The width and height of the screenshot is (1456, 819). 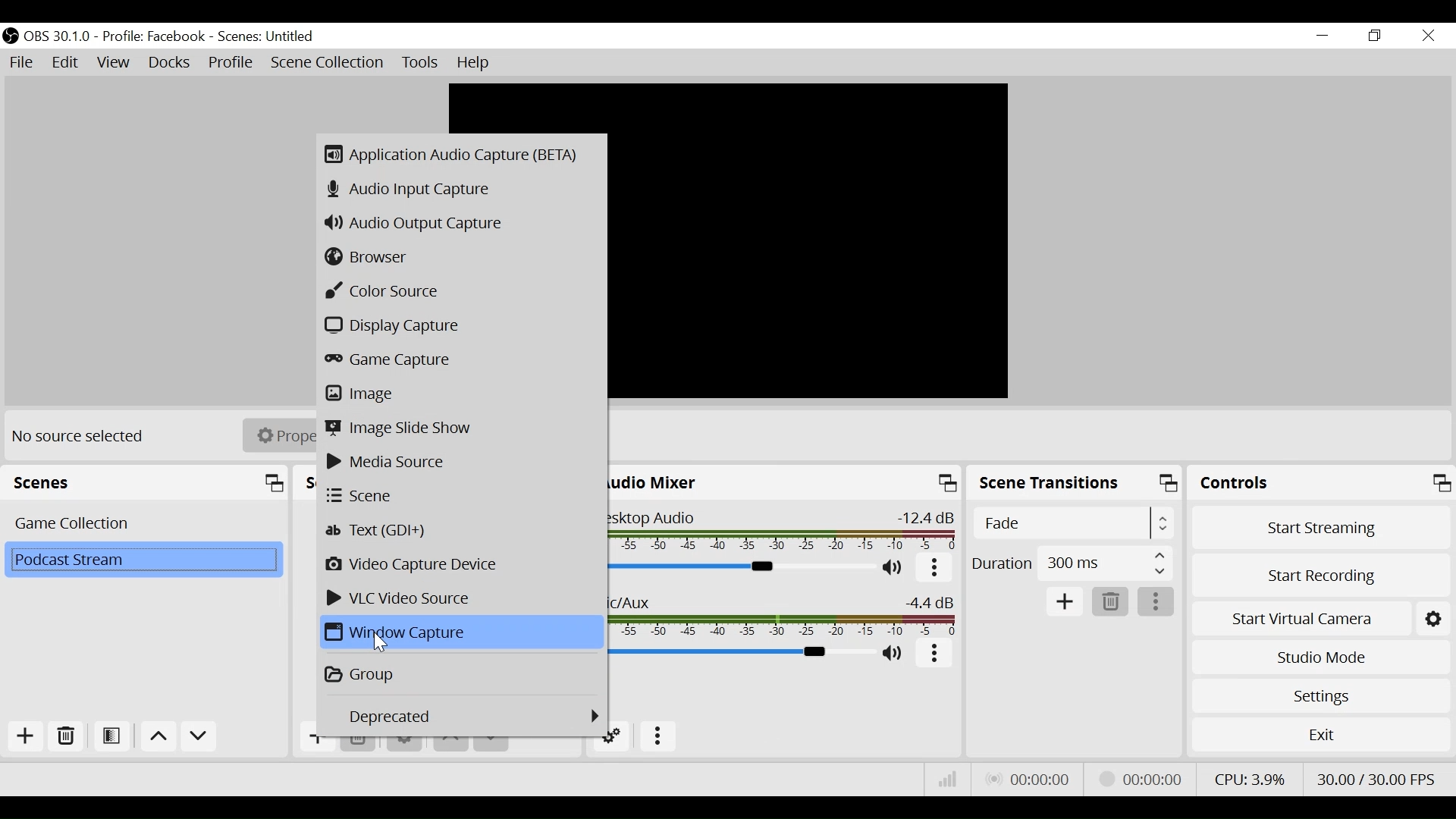 What do you see at coordinates (460, 222) in the screenshot?
I see `Audio Output Capture` at bounding box center [460, 222].